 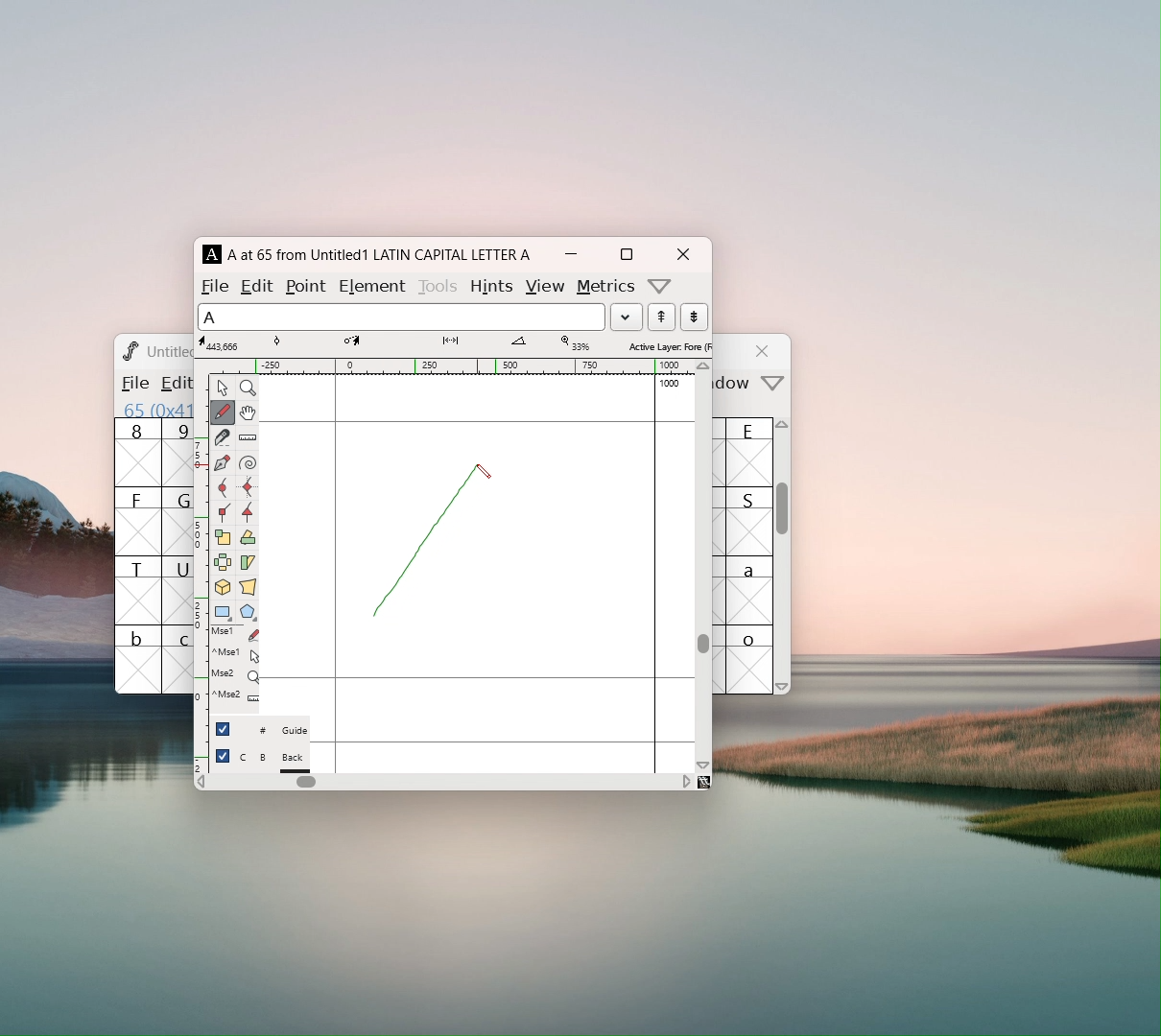 What do you see at coordinates (201, 572) in the screenshot?
I see `vertical ruler` at bounding box center [201, 572].